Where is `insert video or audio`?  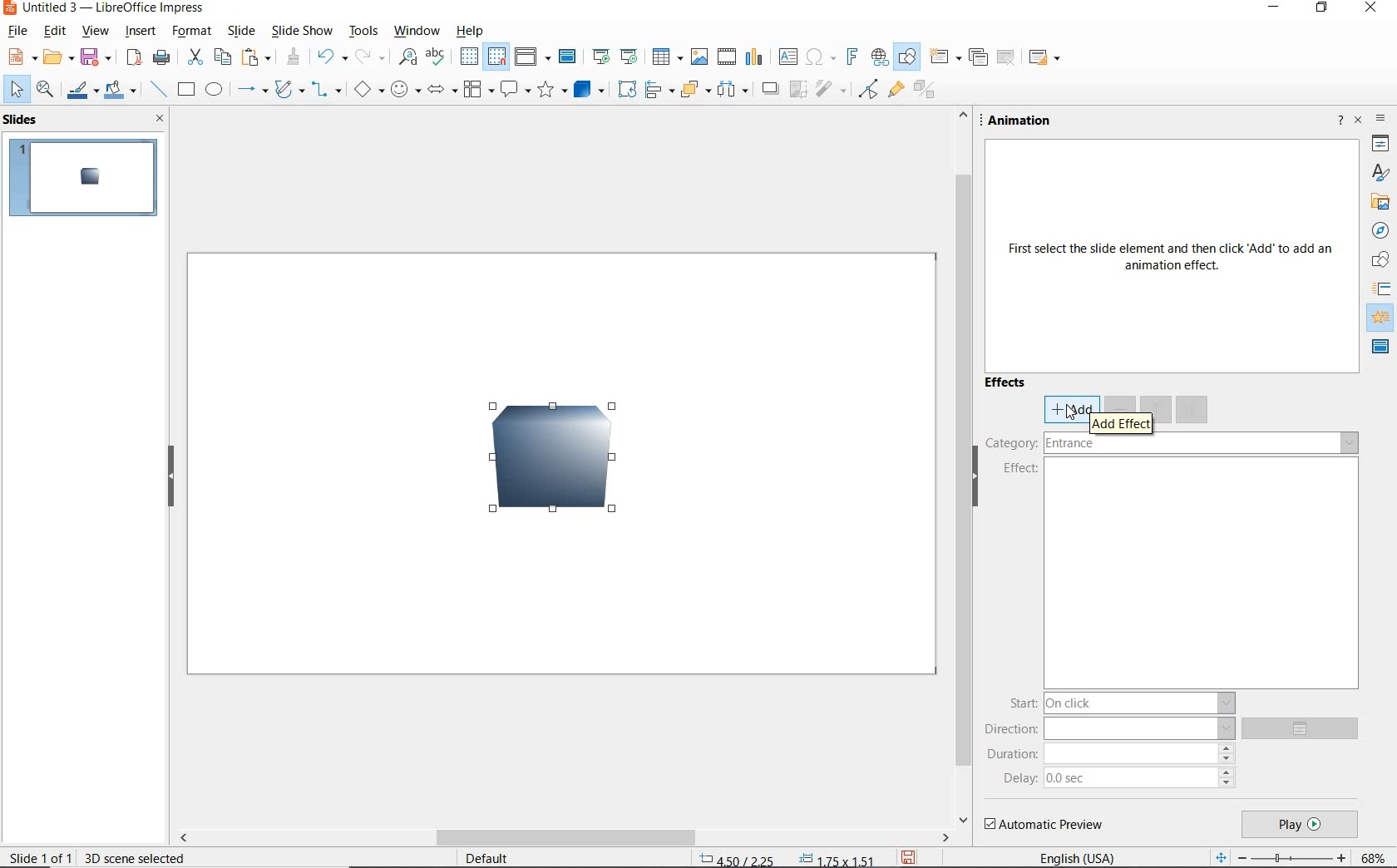 insert video or audio is located at coordinates (728, 57).